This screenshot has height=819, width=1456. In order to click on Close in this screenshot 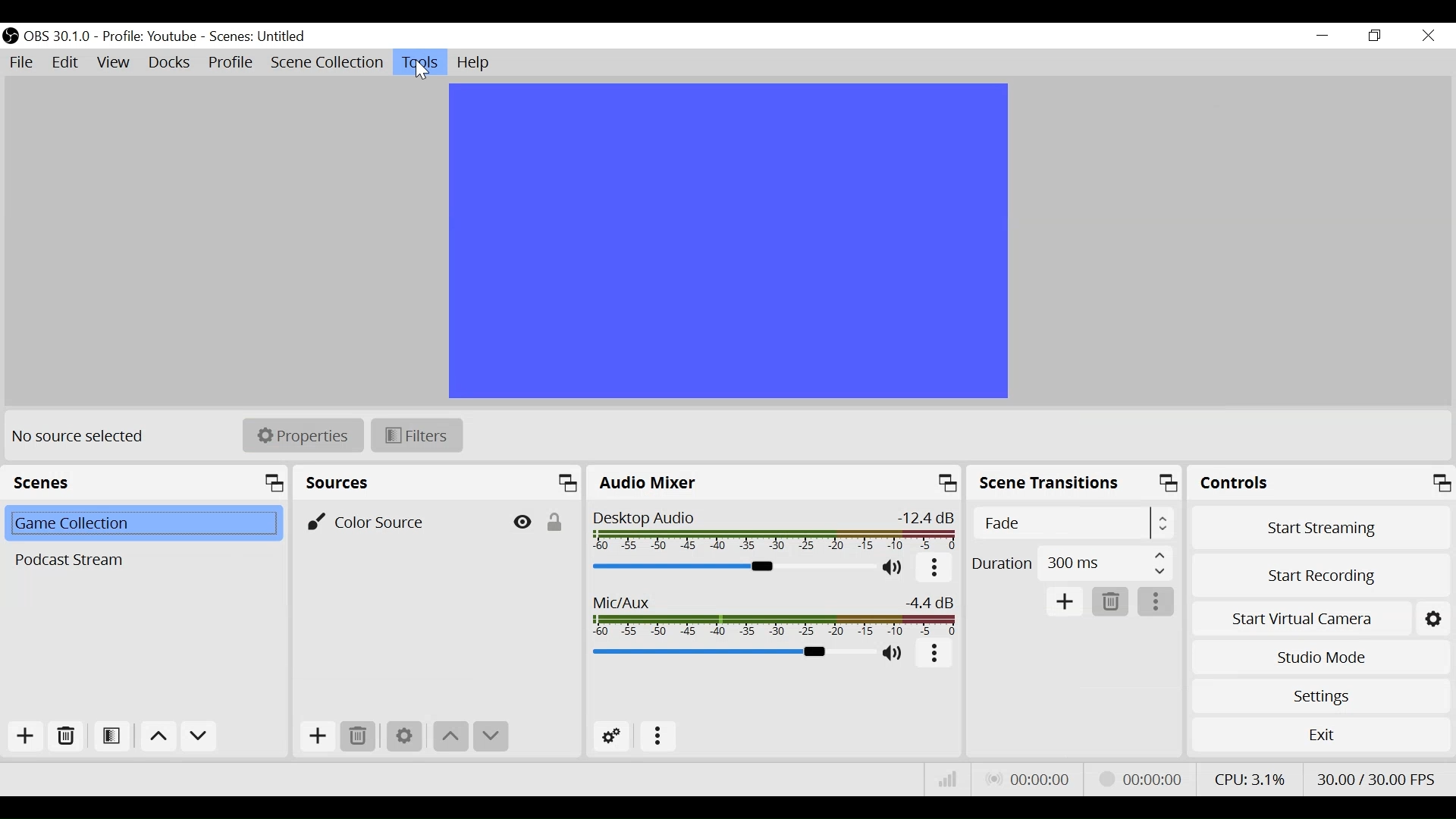, I will do `click(1429, 36)`.